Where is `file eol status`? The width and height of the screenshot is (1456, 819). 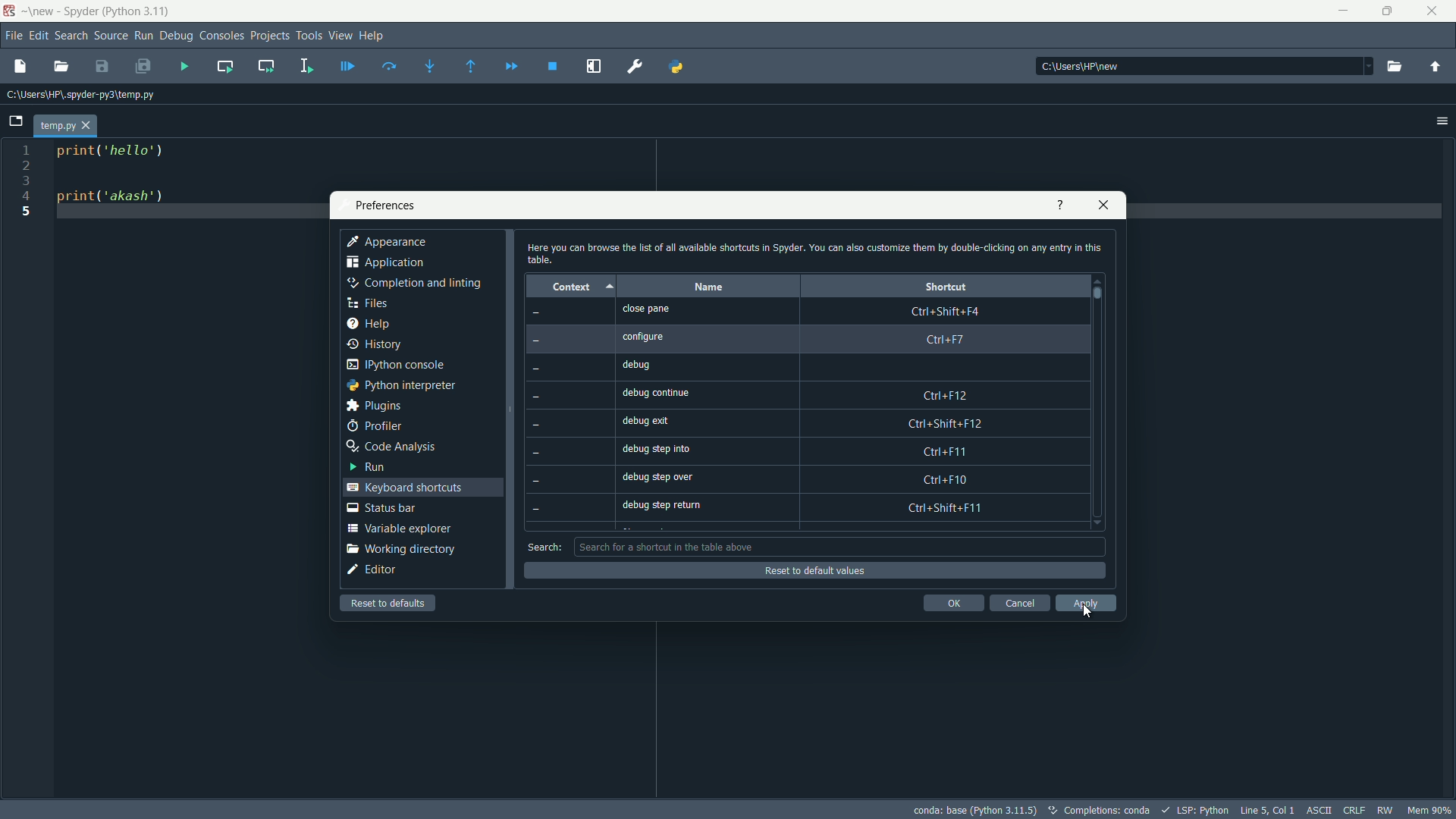
file eol status is located at coordinates (1354, 811).